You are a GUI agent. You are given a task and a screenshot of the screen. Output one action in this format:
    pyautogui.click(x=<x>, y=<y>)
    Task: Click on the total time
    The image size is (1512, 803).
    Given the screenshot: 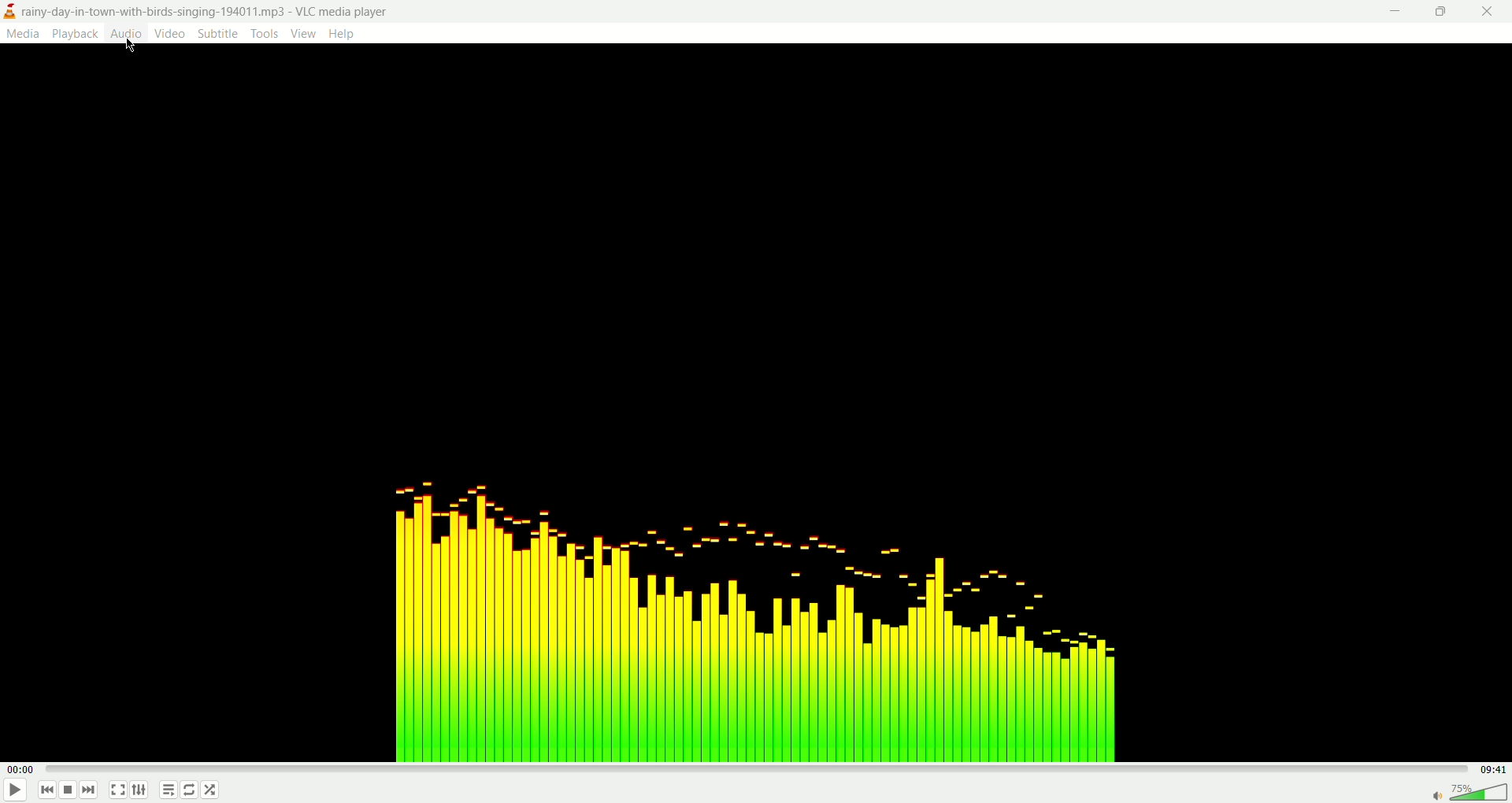 What is the action you would take?
    pyautogui.click(x=1496, y=769)
    